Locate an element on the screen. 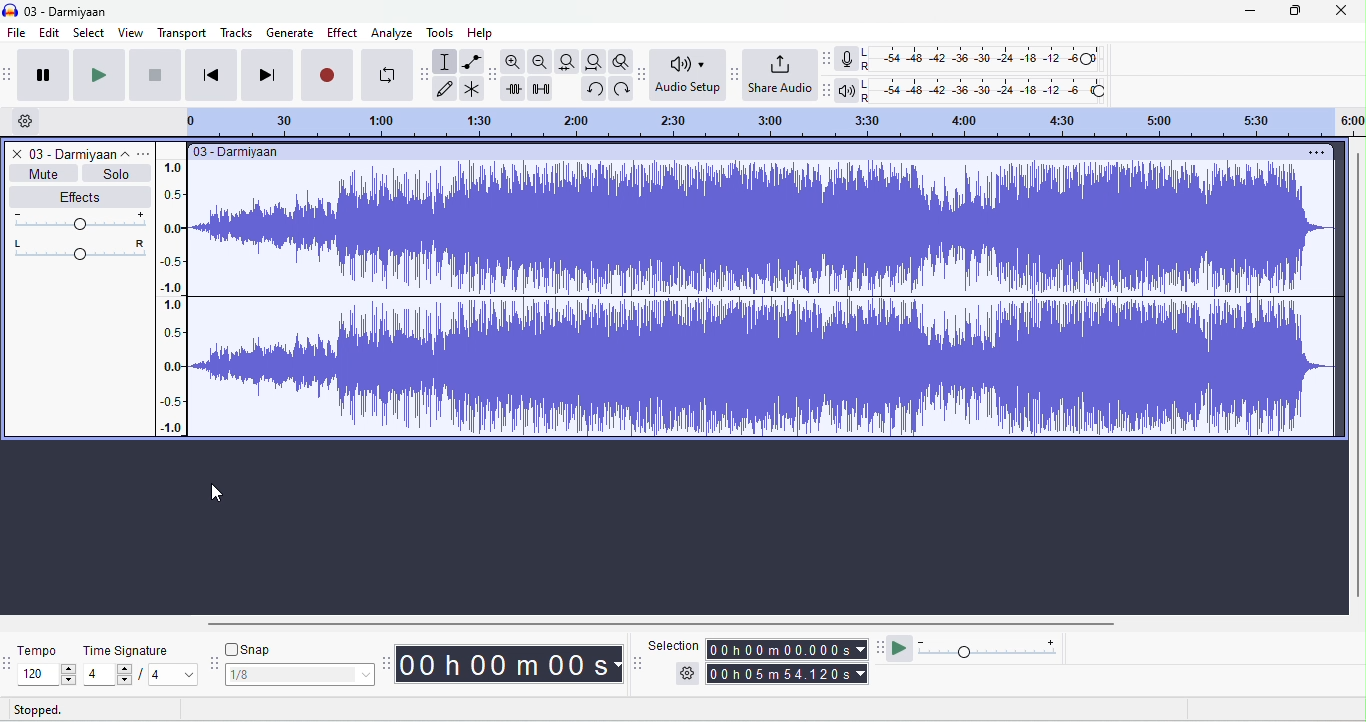  fit project width is located at coordinates (593, 63).